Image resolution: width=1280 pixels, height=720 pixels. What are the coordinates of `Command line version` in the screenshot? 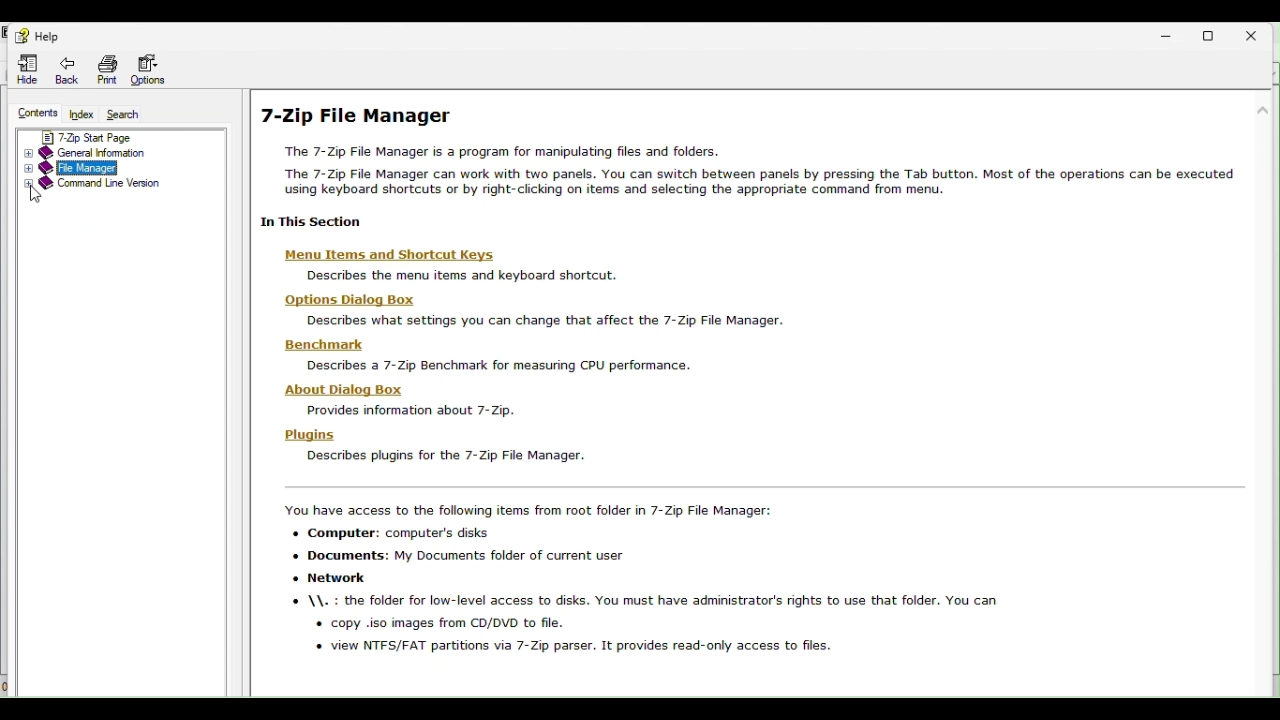 It's located at (115, 188).